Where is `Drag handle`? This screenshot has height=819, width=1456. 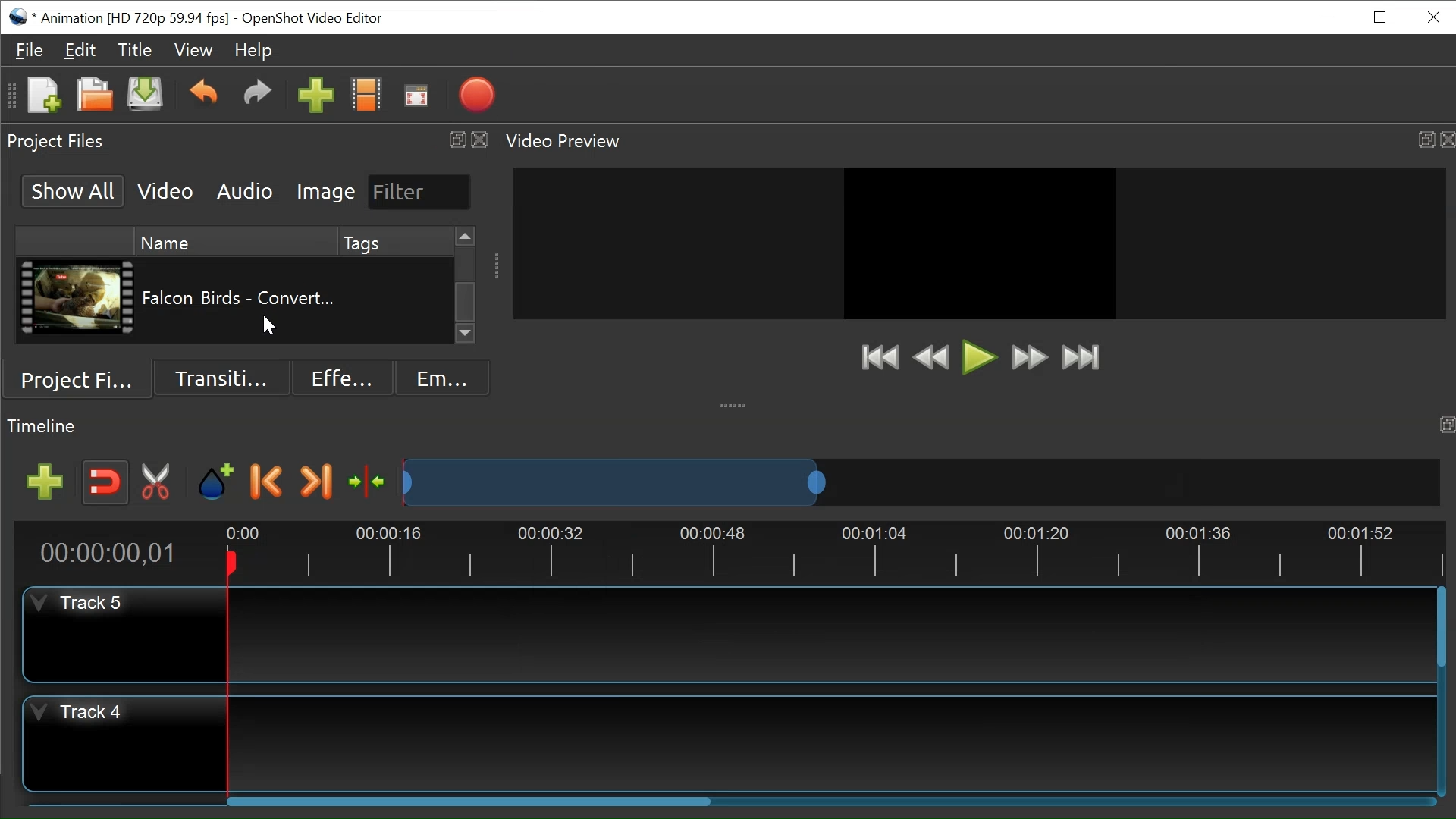 Drag handle is located at coordinates (735, 404).